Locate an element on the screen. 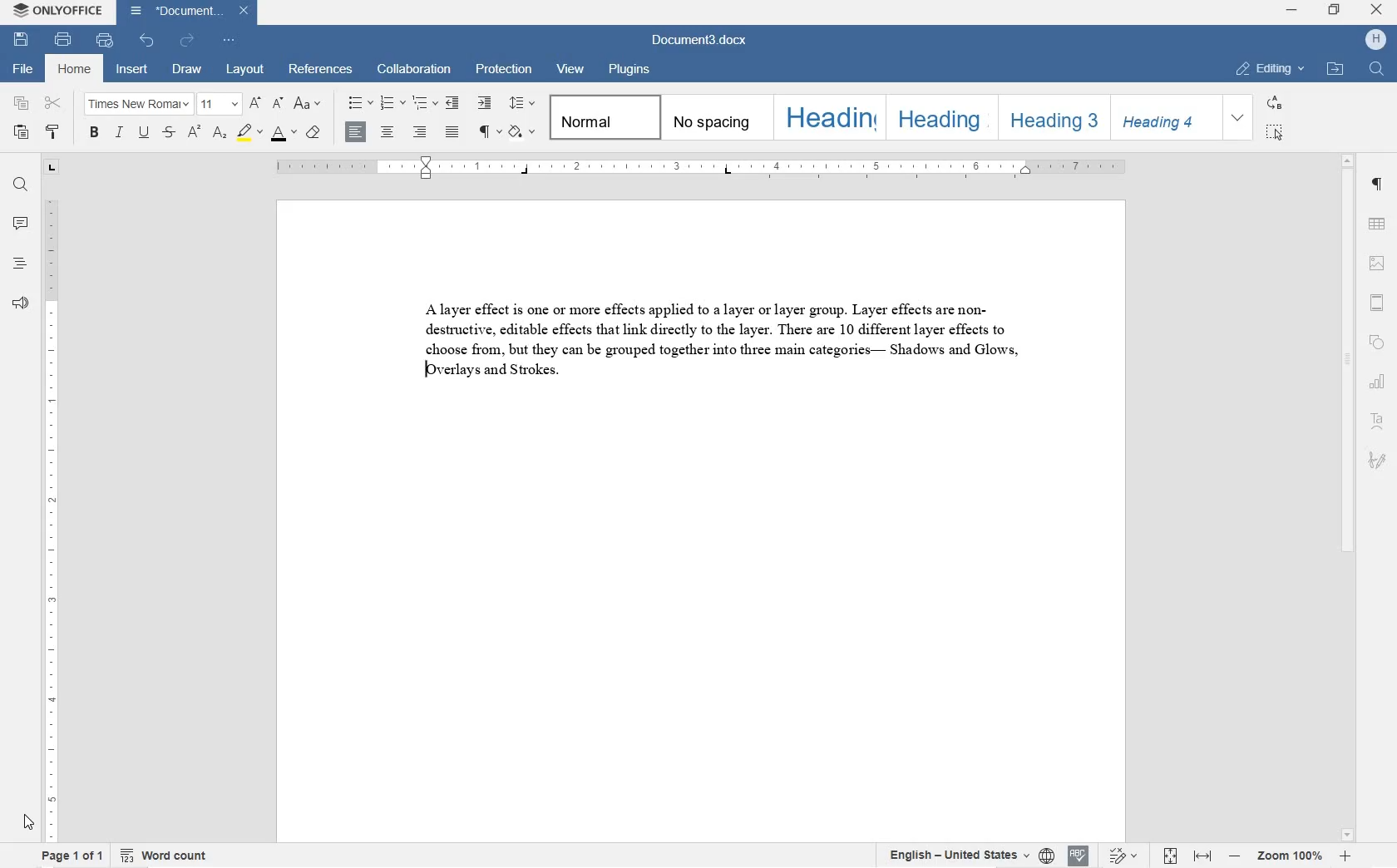  HEADING 2 is located at coordinates (940, 117).